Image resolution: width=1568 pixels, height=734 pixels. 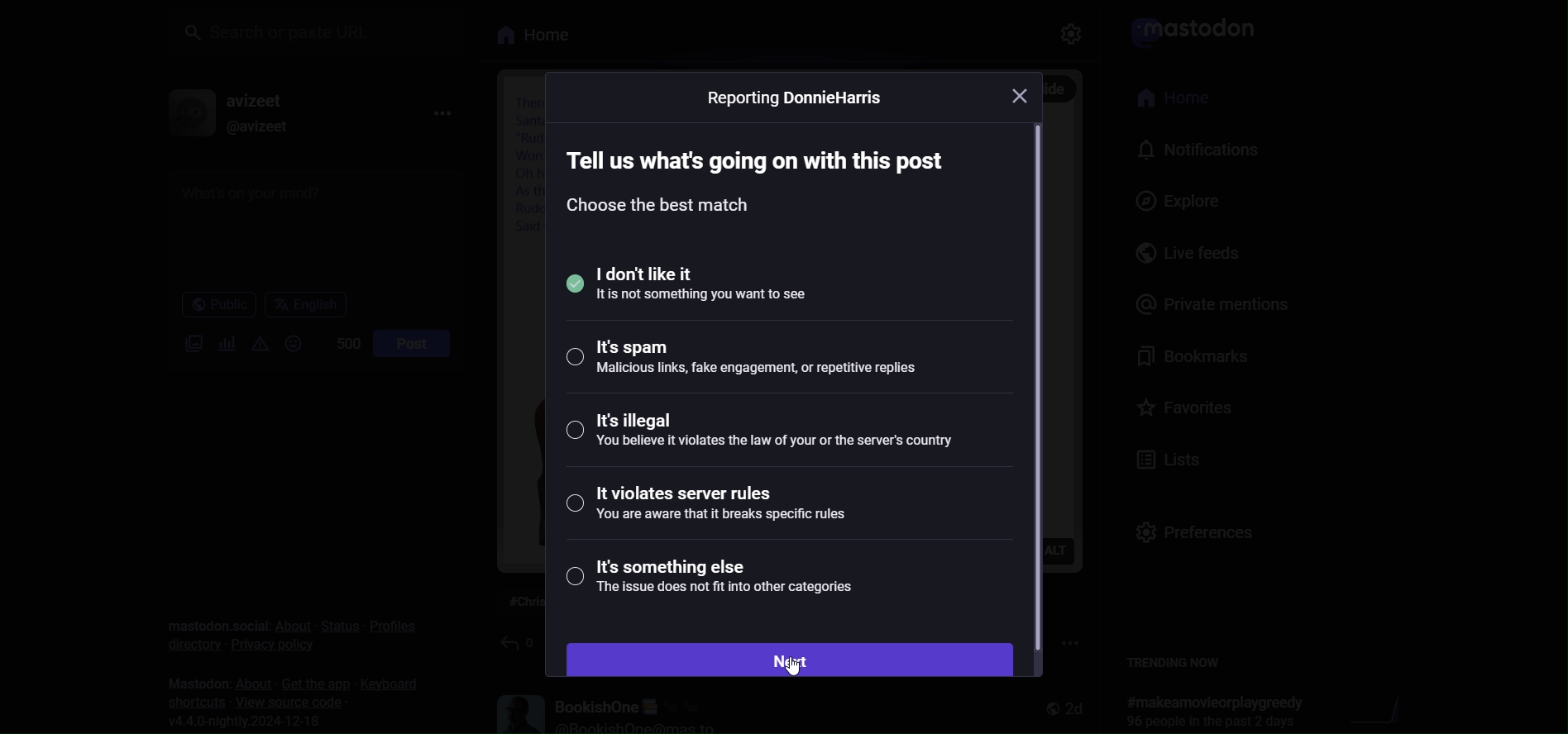 I want to click on It violates server rules
You are aware that it breaks specific rules, so click(x=717, y=508).